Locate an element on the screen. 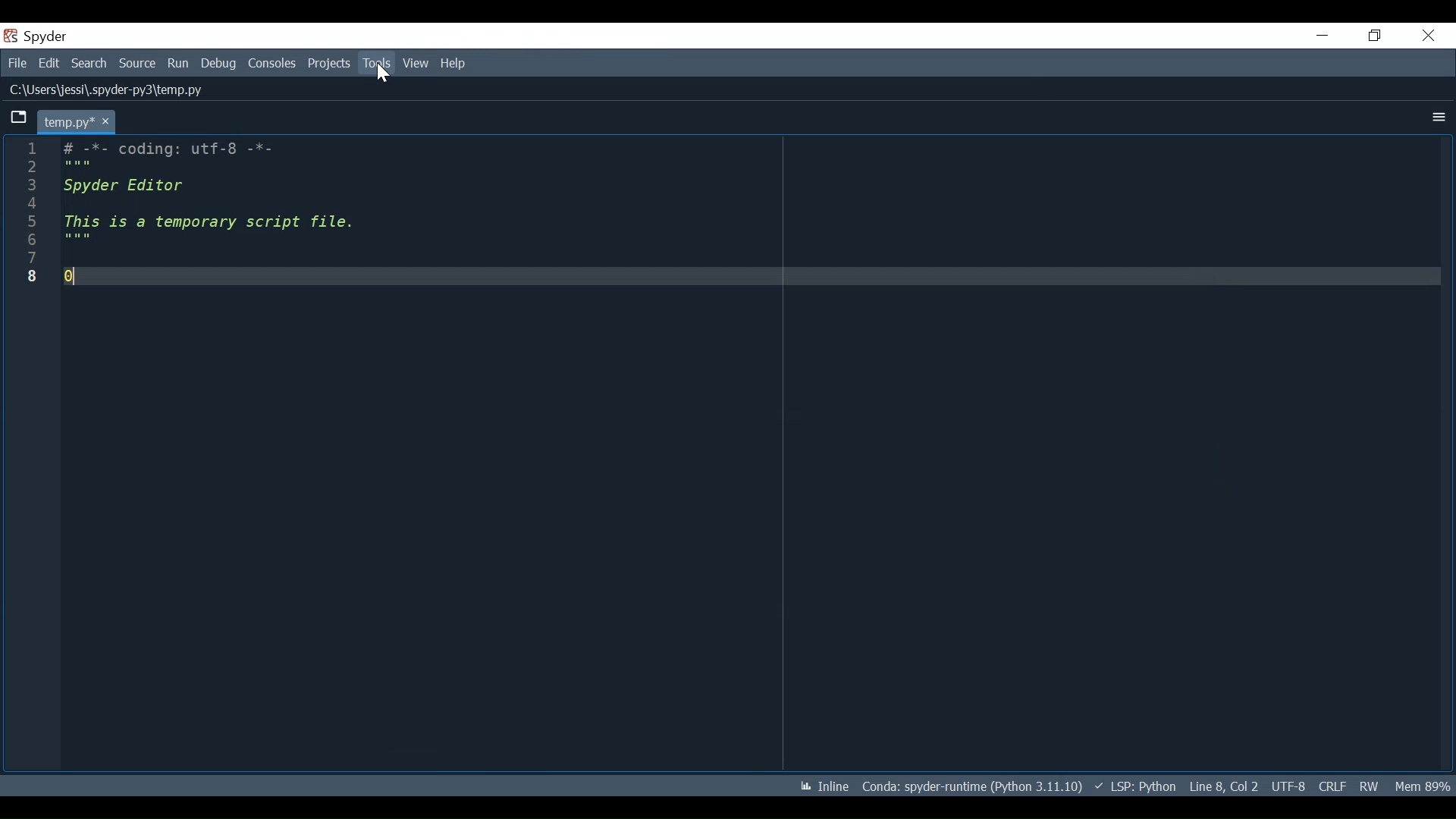 The height and width of the screenshot is (819, 1456). Search is located at coordinates (89, 63).